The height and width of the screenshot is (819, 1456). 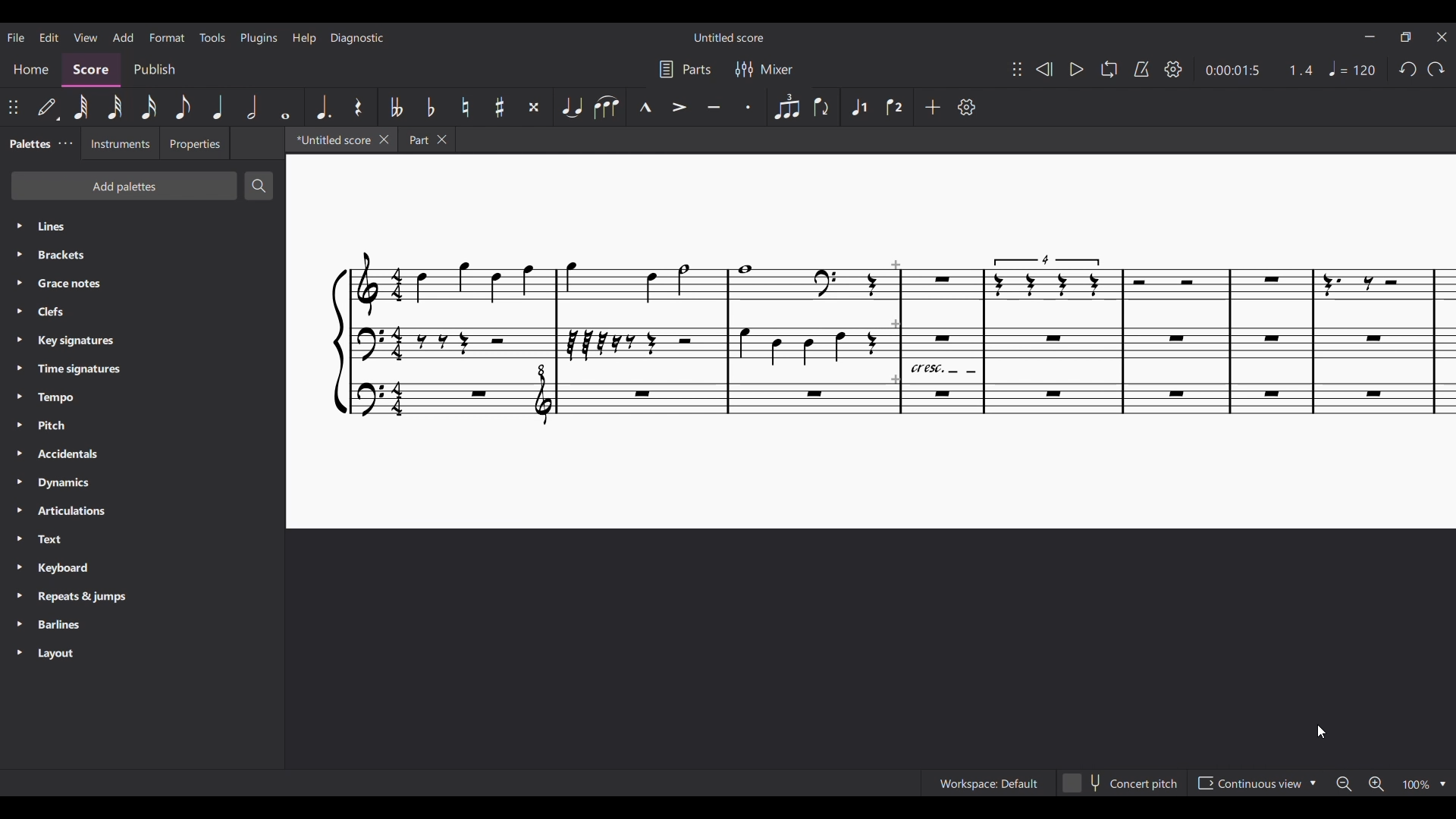 What do you see at coordinates (385, 140) in the screenshot?
I see `Close current tab` at bounding box center [385, 140].